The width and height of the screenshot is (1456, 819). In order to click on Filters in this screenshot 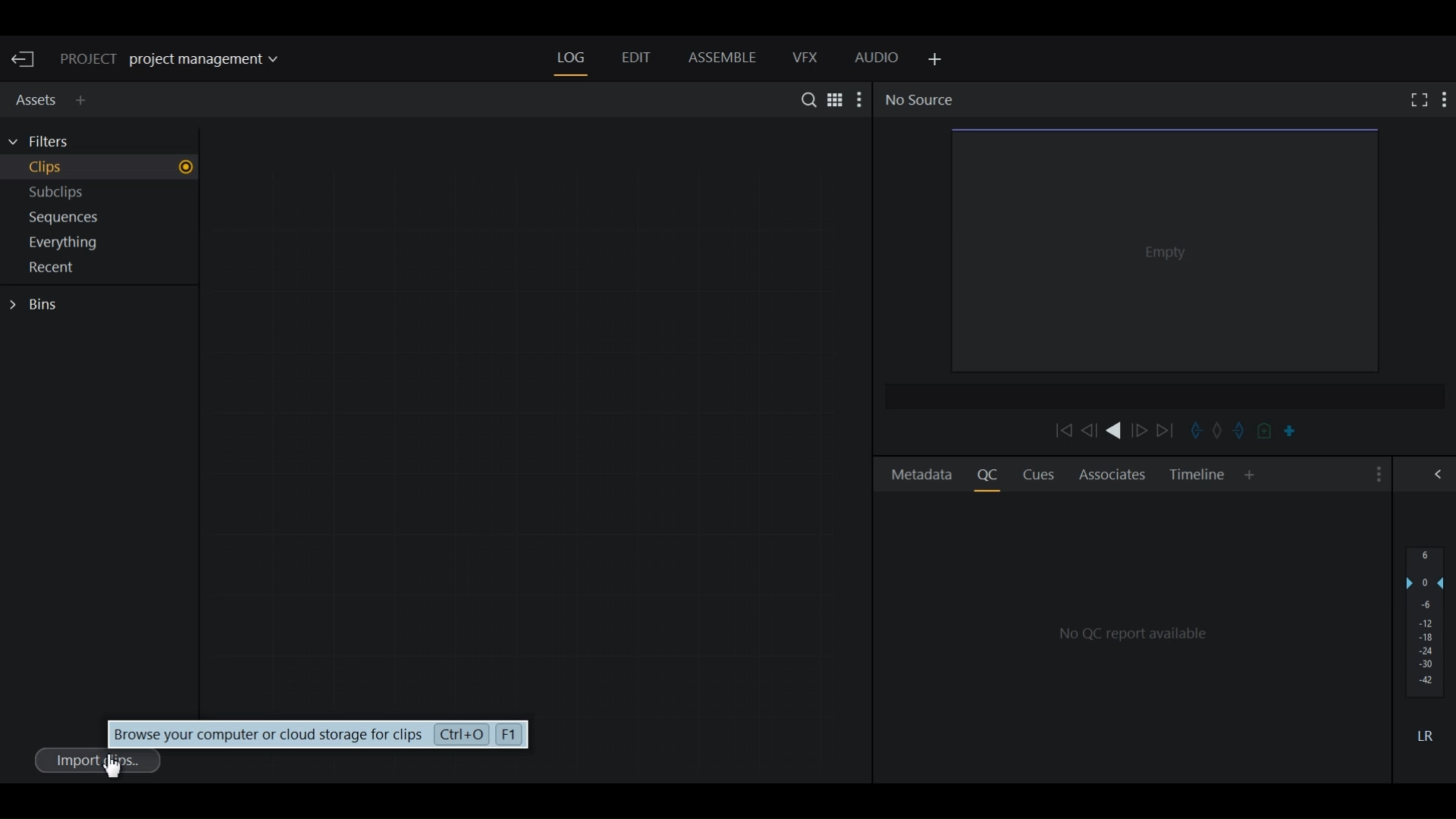, I will do `click(47, 142)`.